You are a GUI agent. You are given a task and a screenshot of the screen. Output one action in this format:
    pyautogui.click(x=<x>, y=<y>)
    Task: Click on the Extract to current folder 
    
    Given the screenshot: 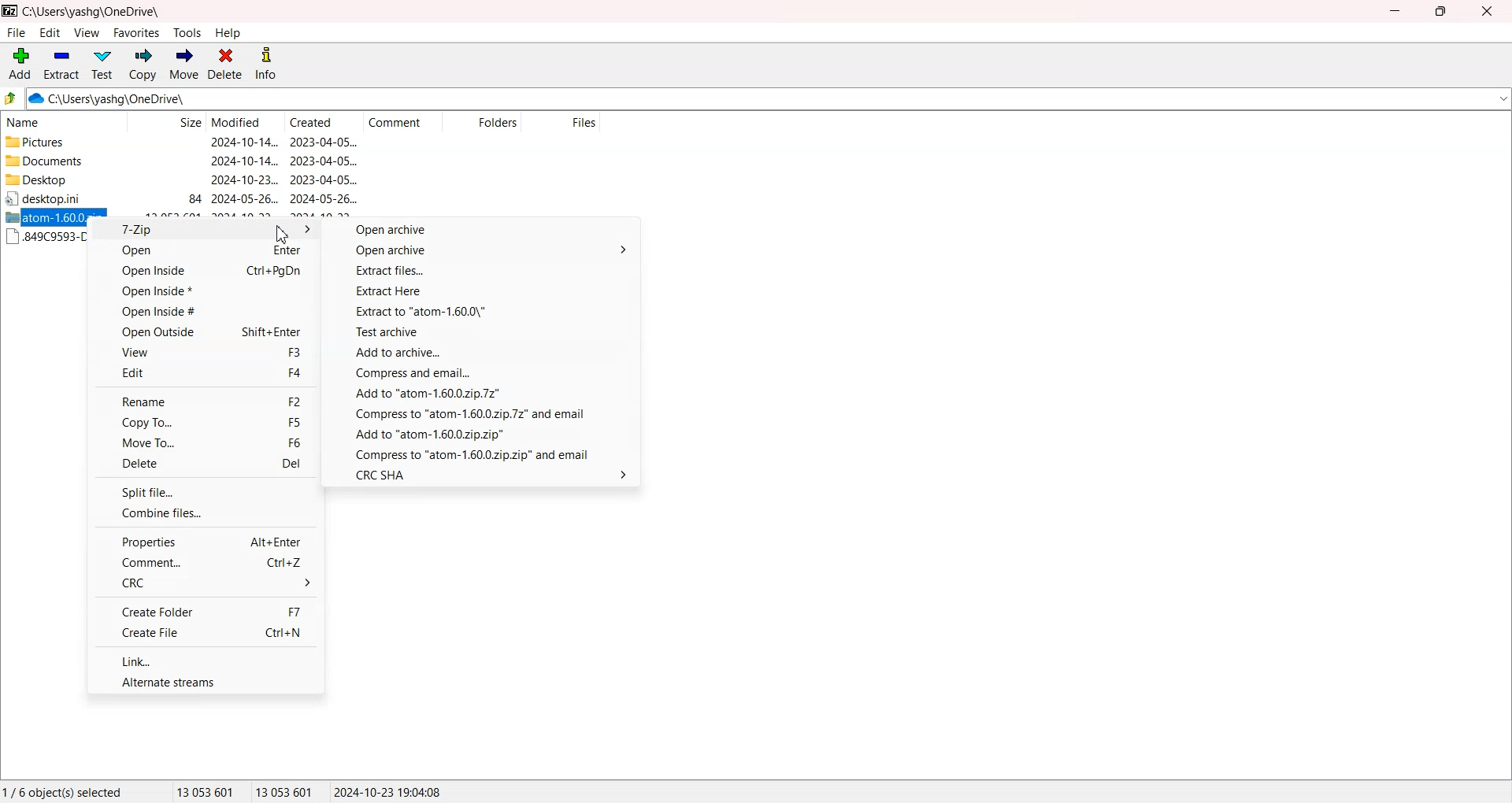 What is the action you would take?
    pyautogui.click(x=485, y=313)
    